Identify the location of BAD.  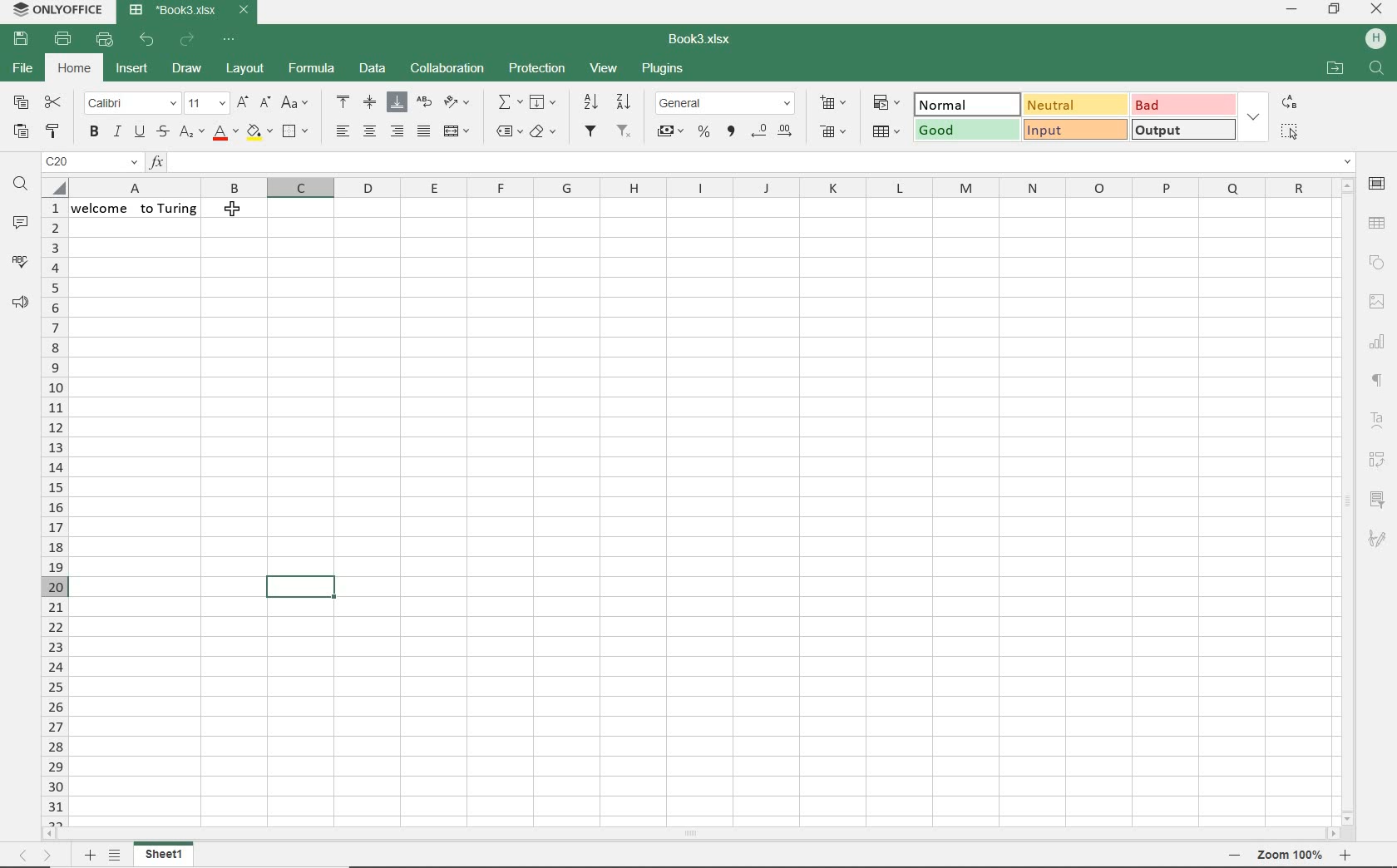
(1180, 105).